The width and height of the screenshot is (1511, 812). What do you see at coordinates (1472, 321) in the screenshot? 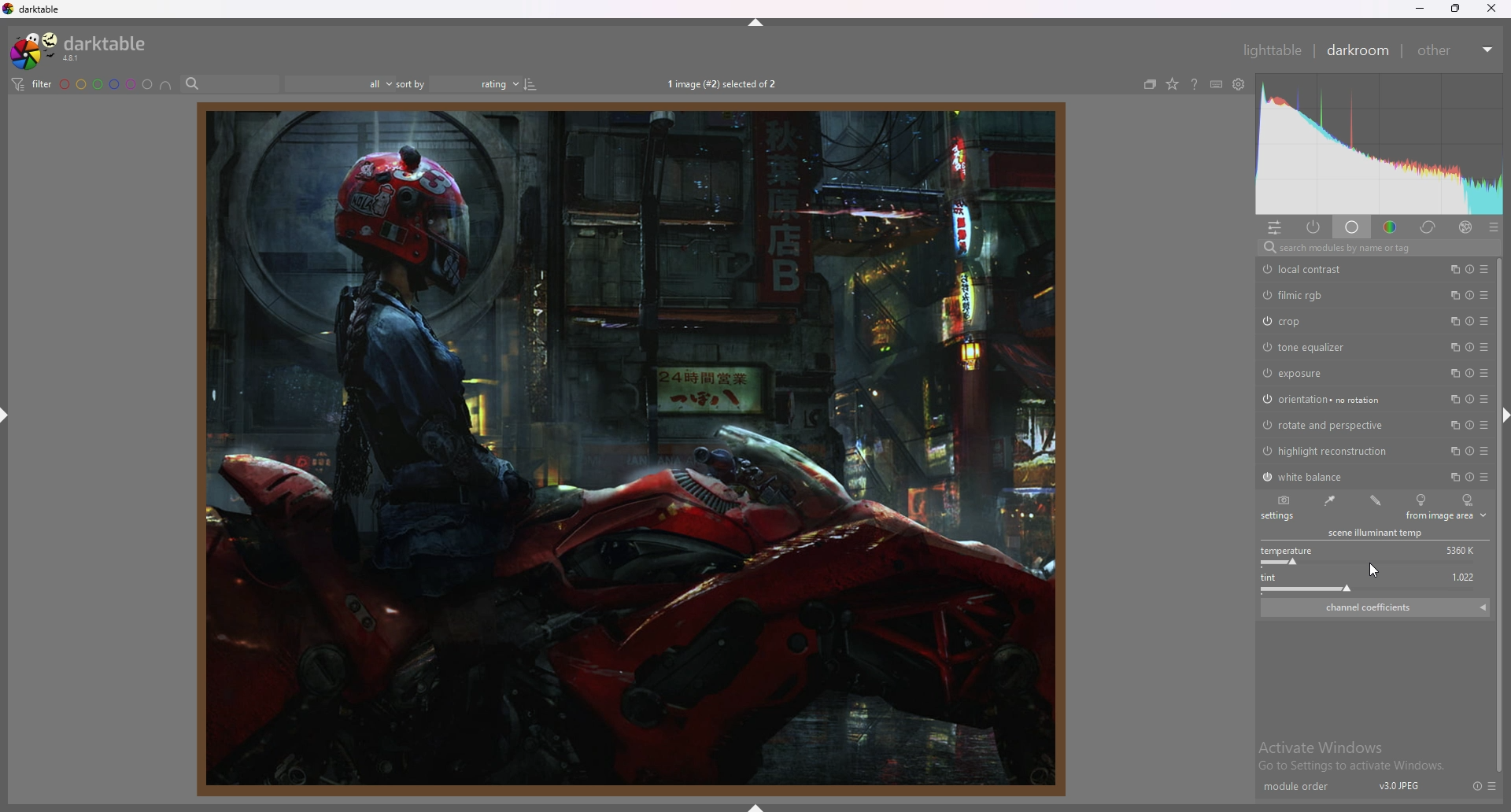
I see `reset` at bounding box center [1472, 321].